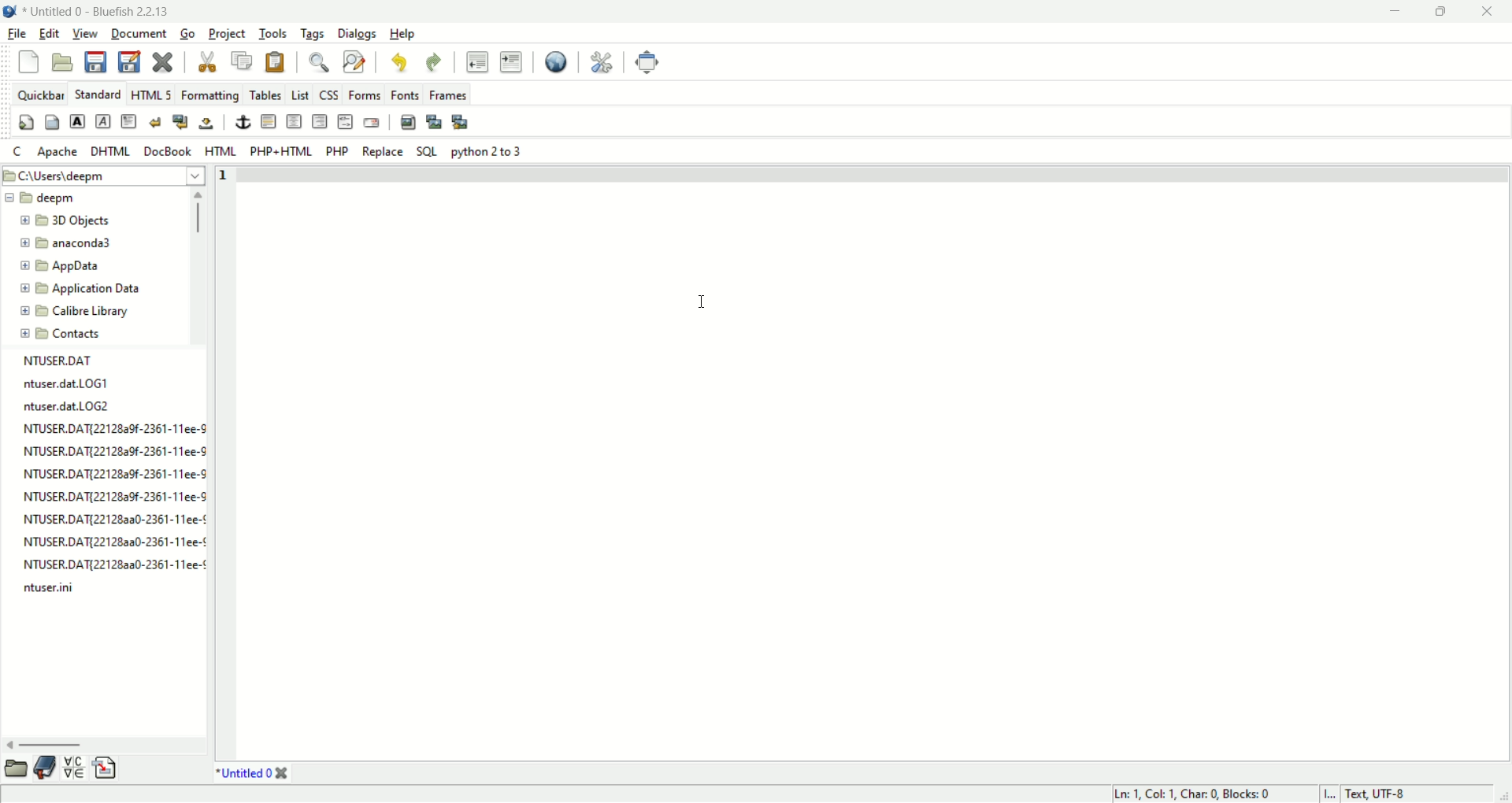 The width and height of the screenshot is (1512, 803). What do you see at coordinates (282, 151) in the screenshot?
I see `PHP+HTML` at bounding box center [282, 151].